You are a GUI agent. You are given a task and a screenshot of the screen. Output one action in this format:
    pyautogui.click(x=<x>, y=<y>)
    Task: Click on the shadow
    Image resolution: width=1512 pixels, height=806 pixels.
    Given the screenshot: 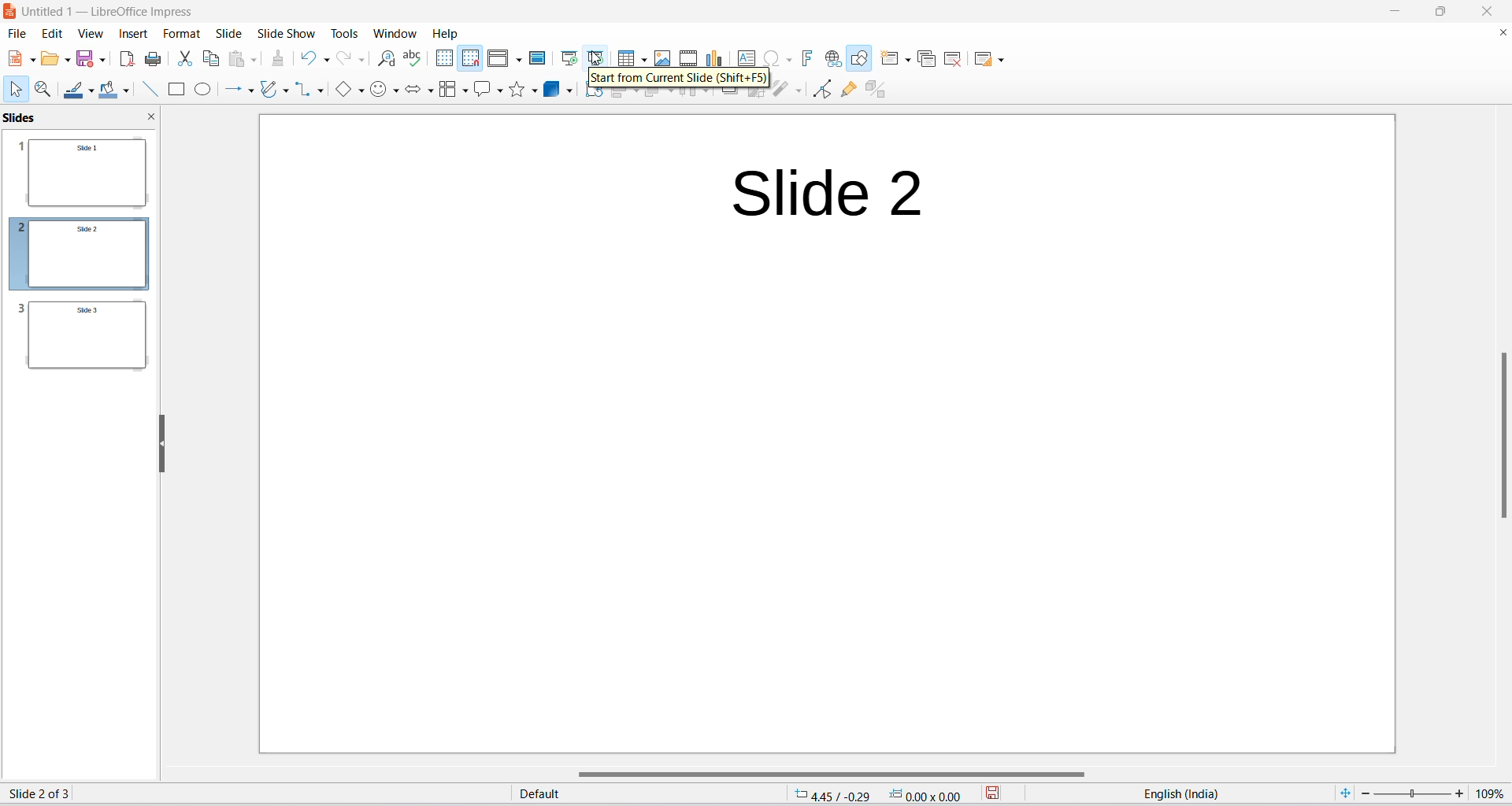 What is the action you would take?
    pyautogui.click(x=593, y=96)
    